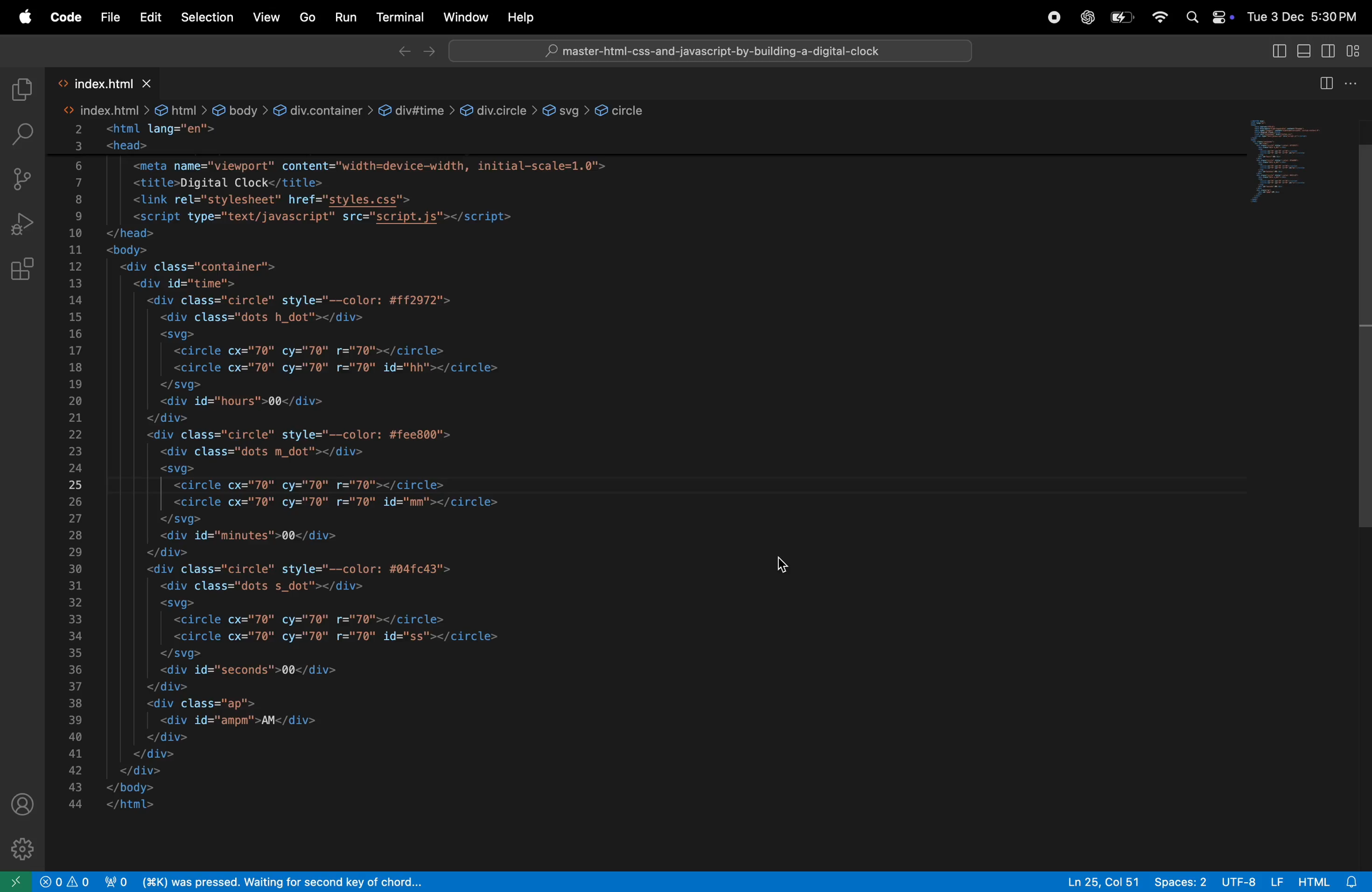 This screenshot has width=1372, height=892. What do you see at coordinates (22, 224) in the screenshot?
I see `run debug` at bounding box center [22, 224].